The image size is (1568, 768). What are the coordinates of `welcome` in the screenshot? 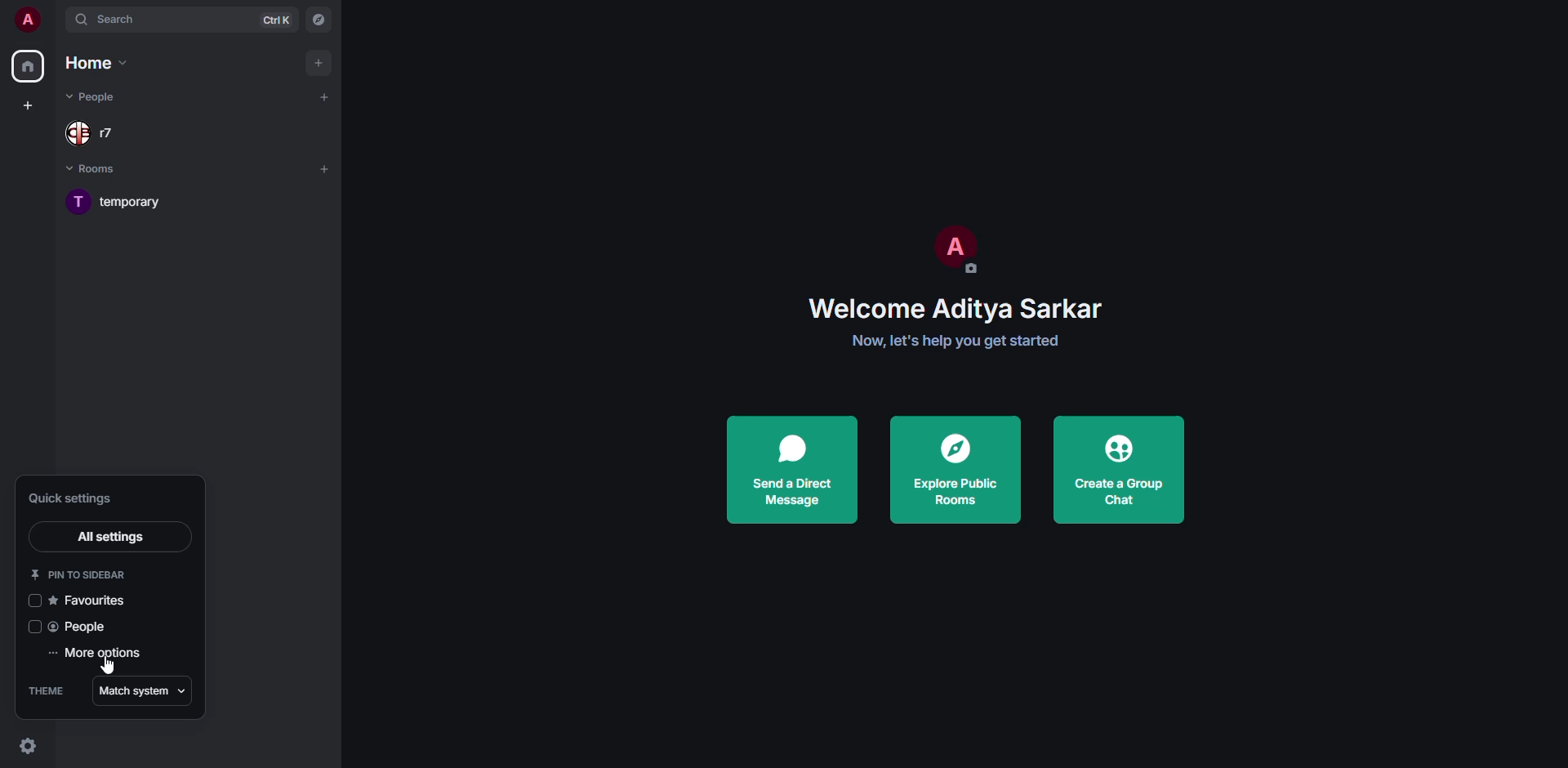 It's located at (961, 310).